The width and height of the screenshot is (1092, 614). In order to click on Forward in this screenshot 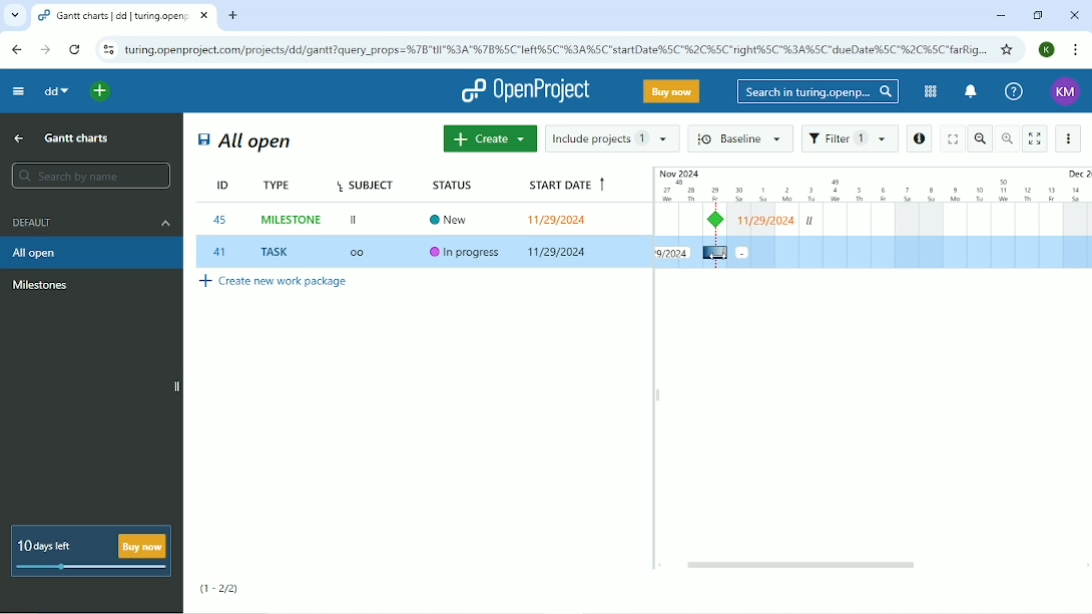, I will do `click(45, 50)`.